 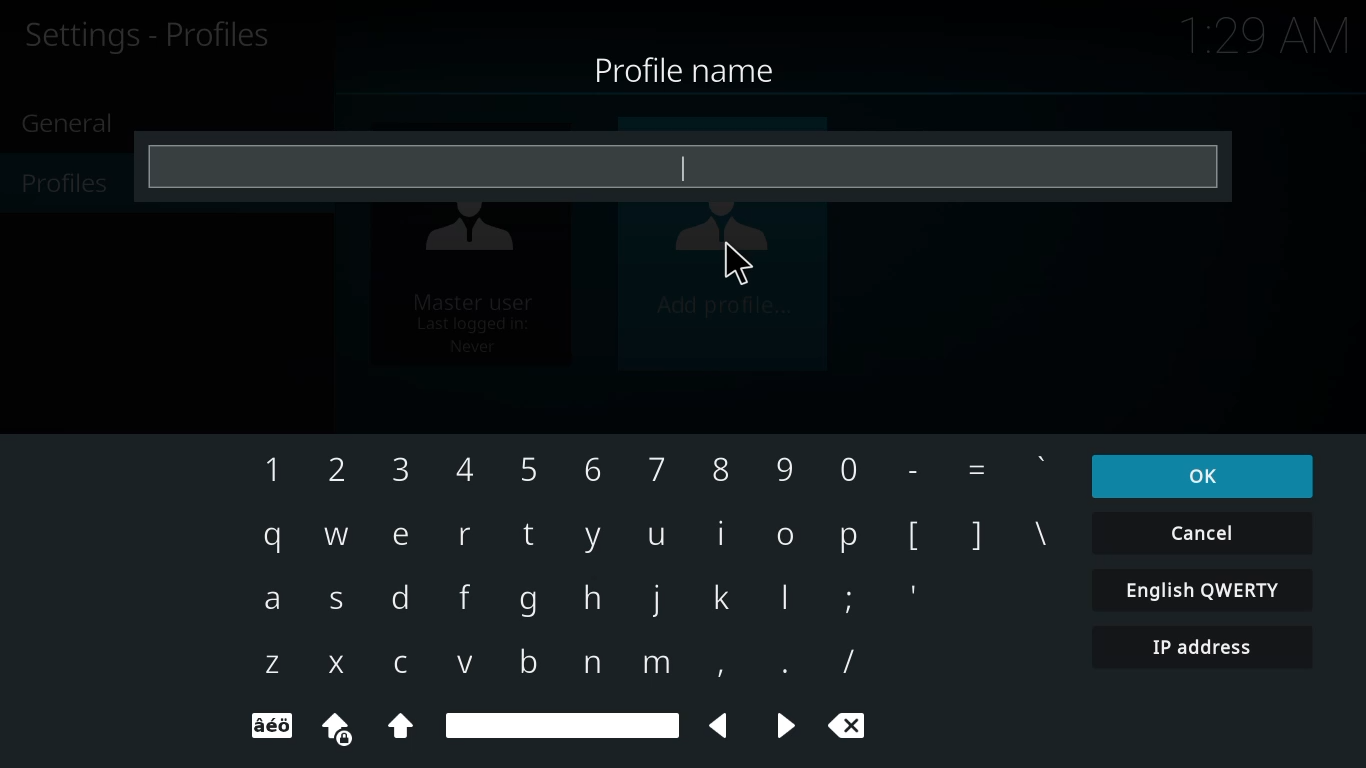 I want to click on 2, so click(x=335, y=474).